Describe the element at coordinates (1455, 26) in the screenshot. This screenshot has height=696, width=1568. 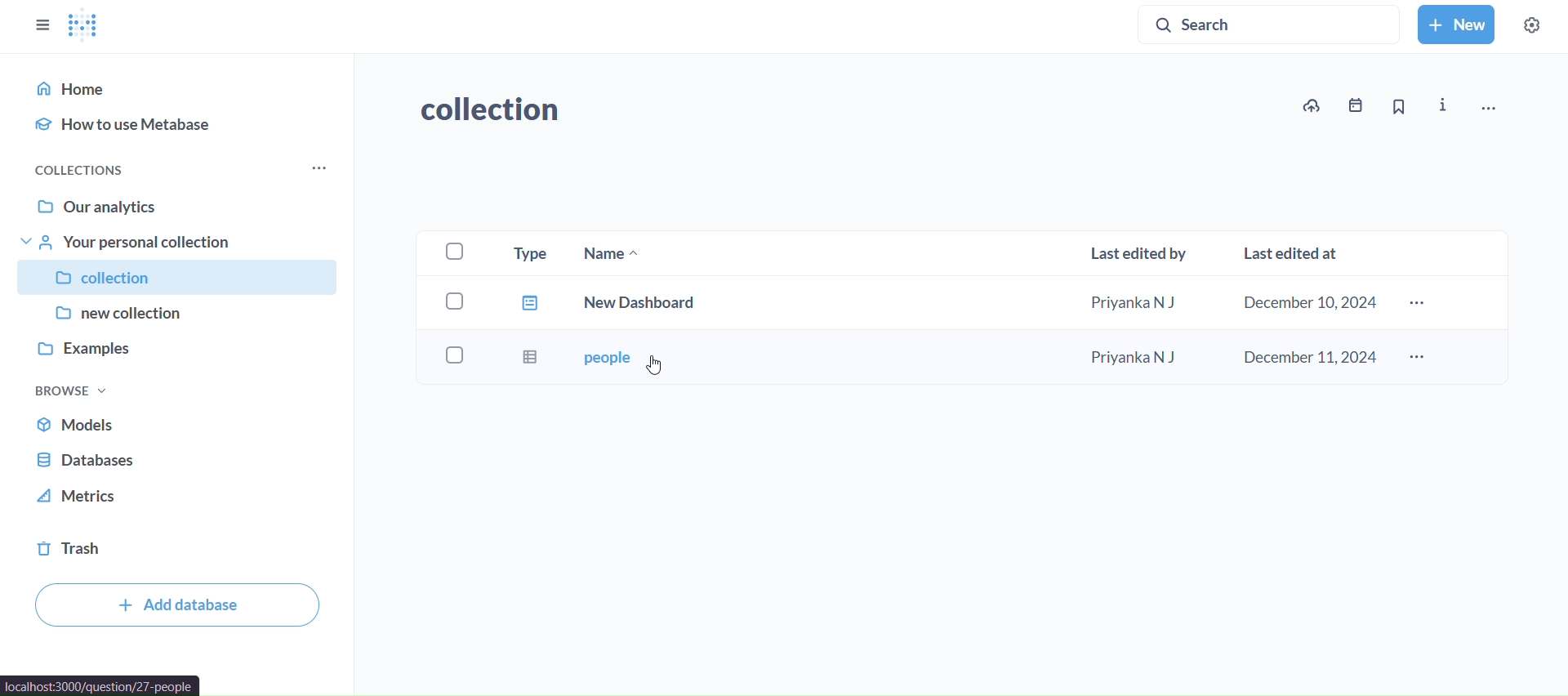
I see `new` at that location.